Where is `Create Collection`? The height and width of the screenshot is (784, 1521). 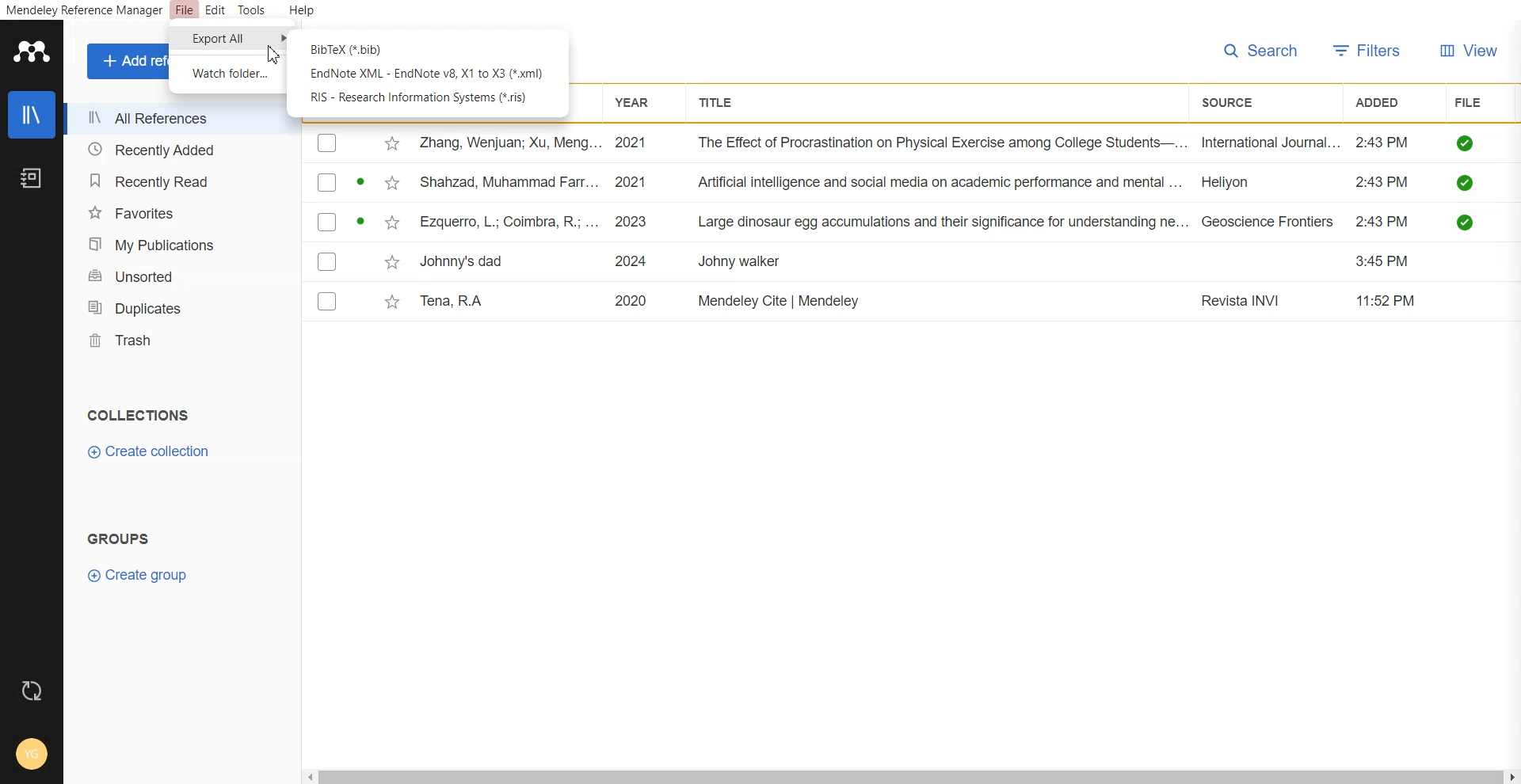 Create Collection is located at coordinates (151, 451).